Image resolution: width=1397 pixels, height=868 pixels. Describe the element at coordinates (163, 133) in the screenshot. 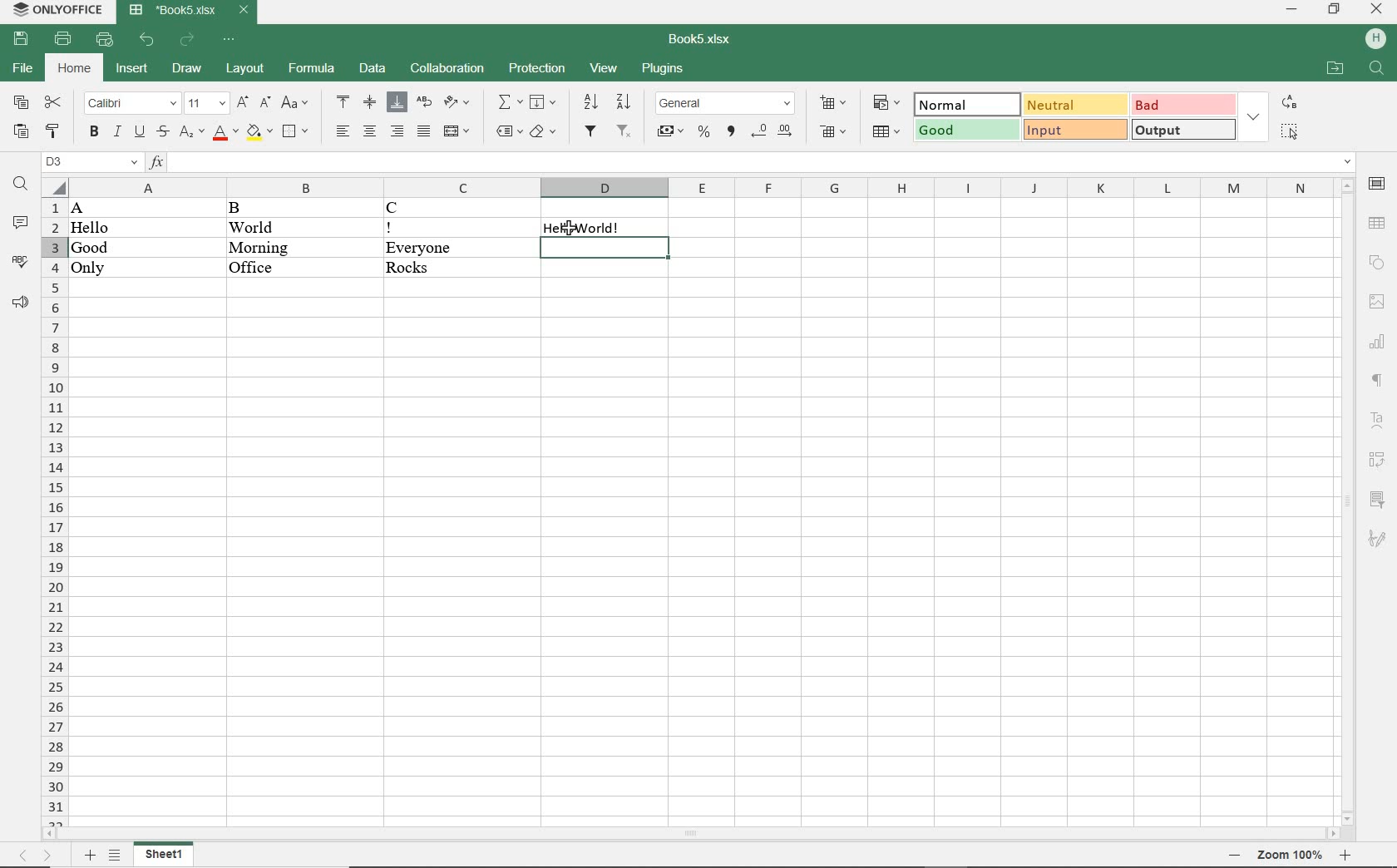

I see `STRIKETHROUGH` at that location.